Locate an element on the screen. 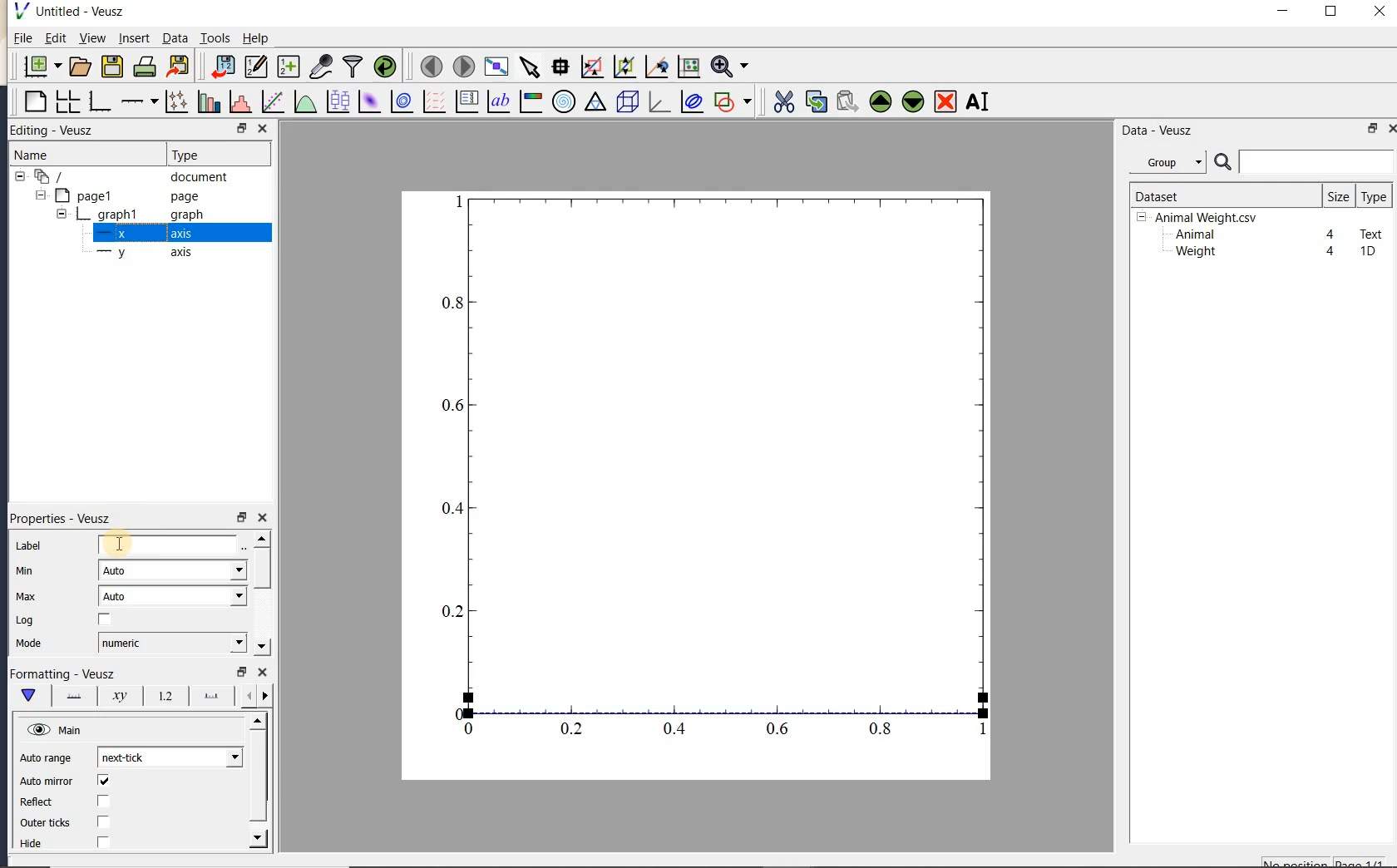 The image size is (1397, 868). plot key is located at coordinates (465, 101).